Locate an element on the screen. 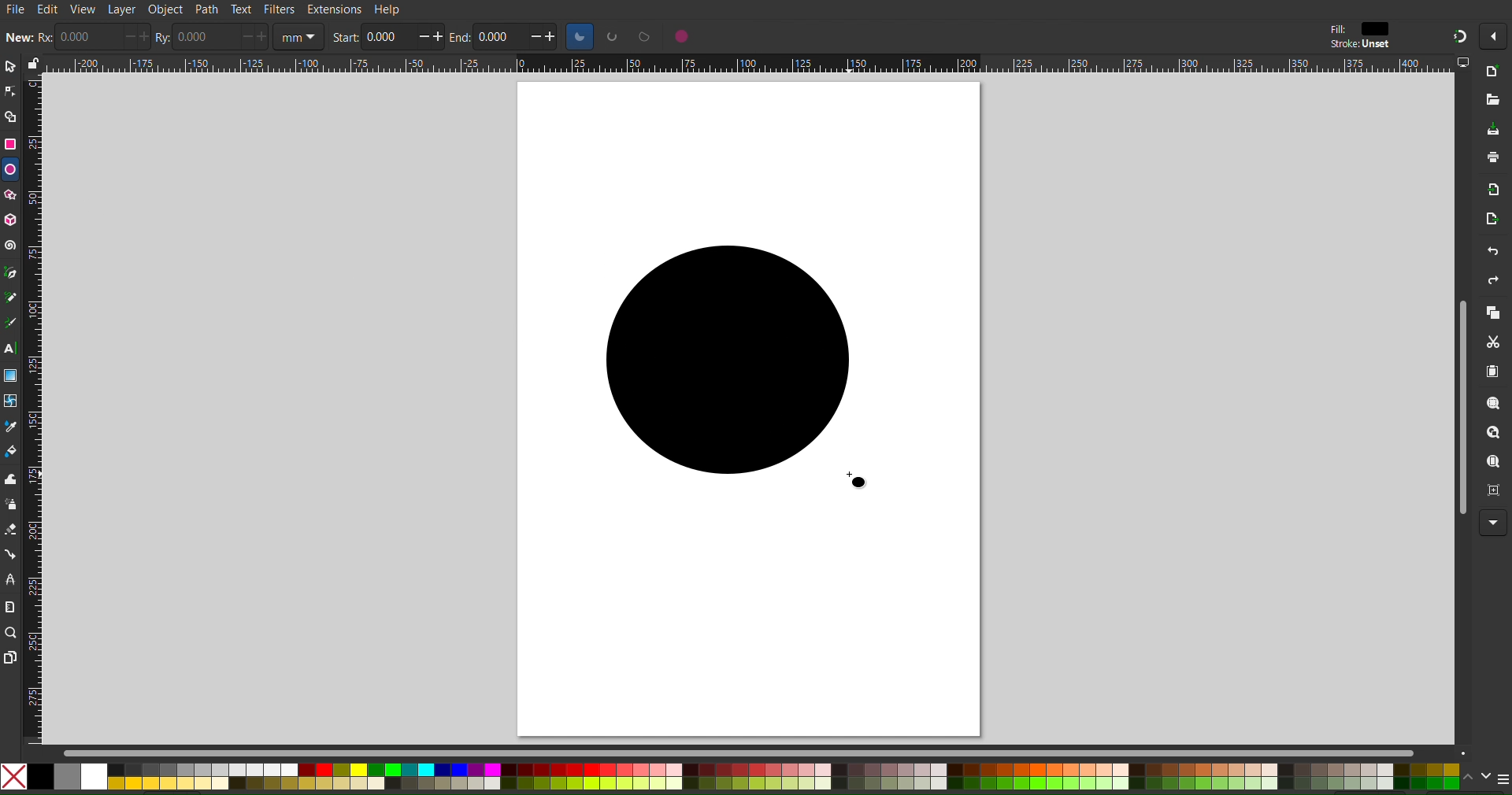  Snapping is located at coordinates (1455, 35).